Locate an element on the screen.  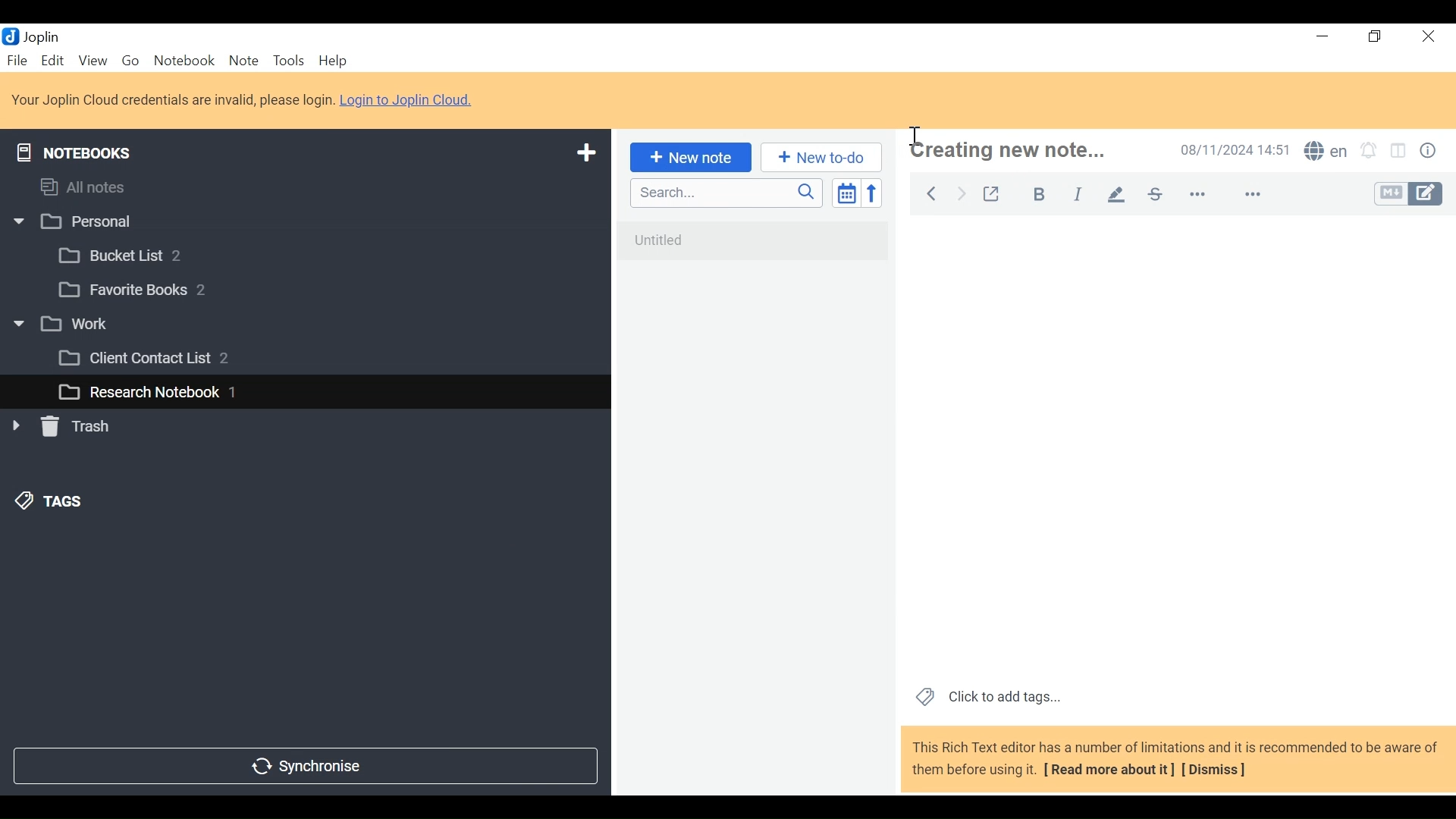
v [3 work is located at coordinates (78, 325).